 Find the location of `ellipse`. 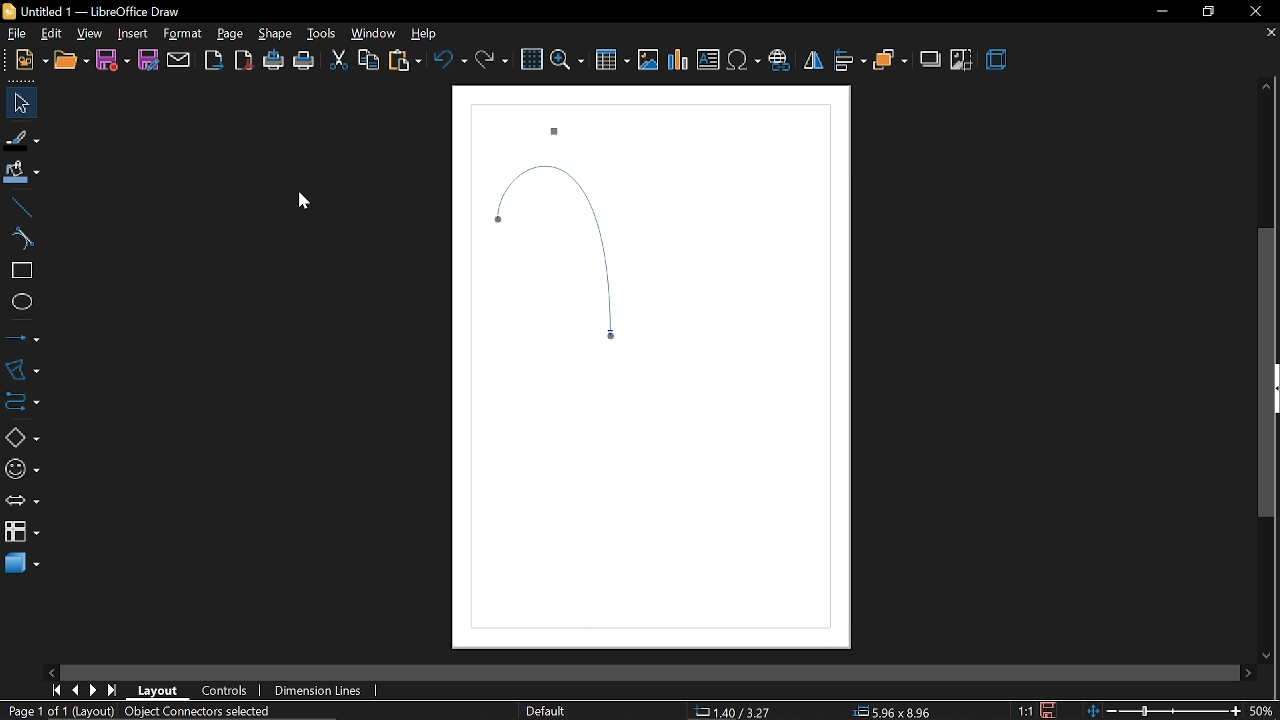

ellipse is located at coordinates (18, 300).